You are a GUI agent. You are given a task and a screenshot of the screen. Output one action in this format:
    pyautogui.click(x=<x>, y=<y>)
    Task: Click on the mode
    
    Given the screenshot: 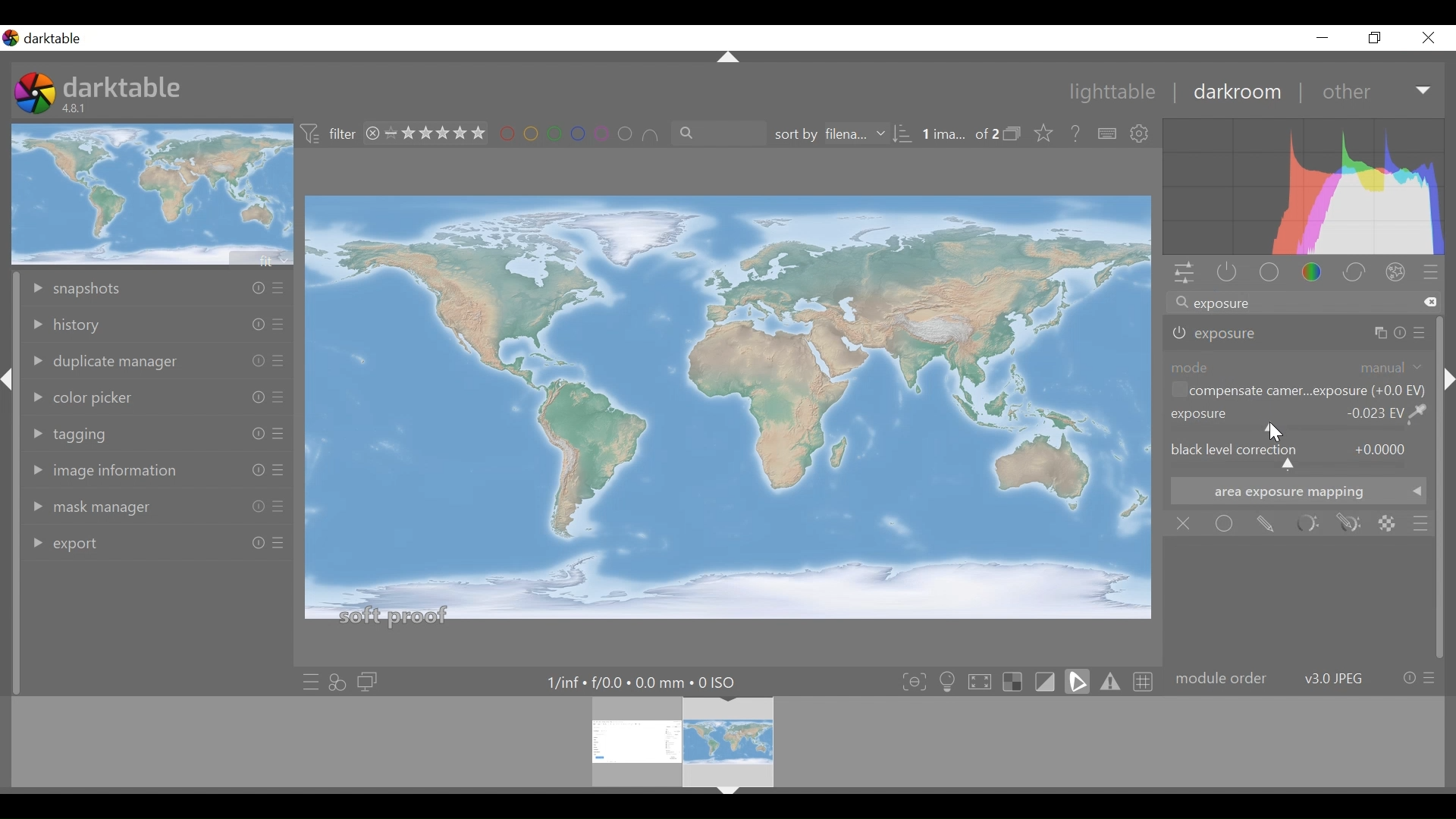 What is the action you would take?
    pyautogui.click(x=1298, y=366)
    